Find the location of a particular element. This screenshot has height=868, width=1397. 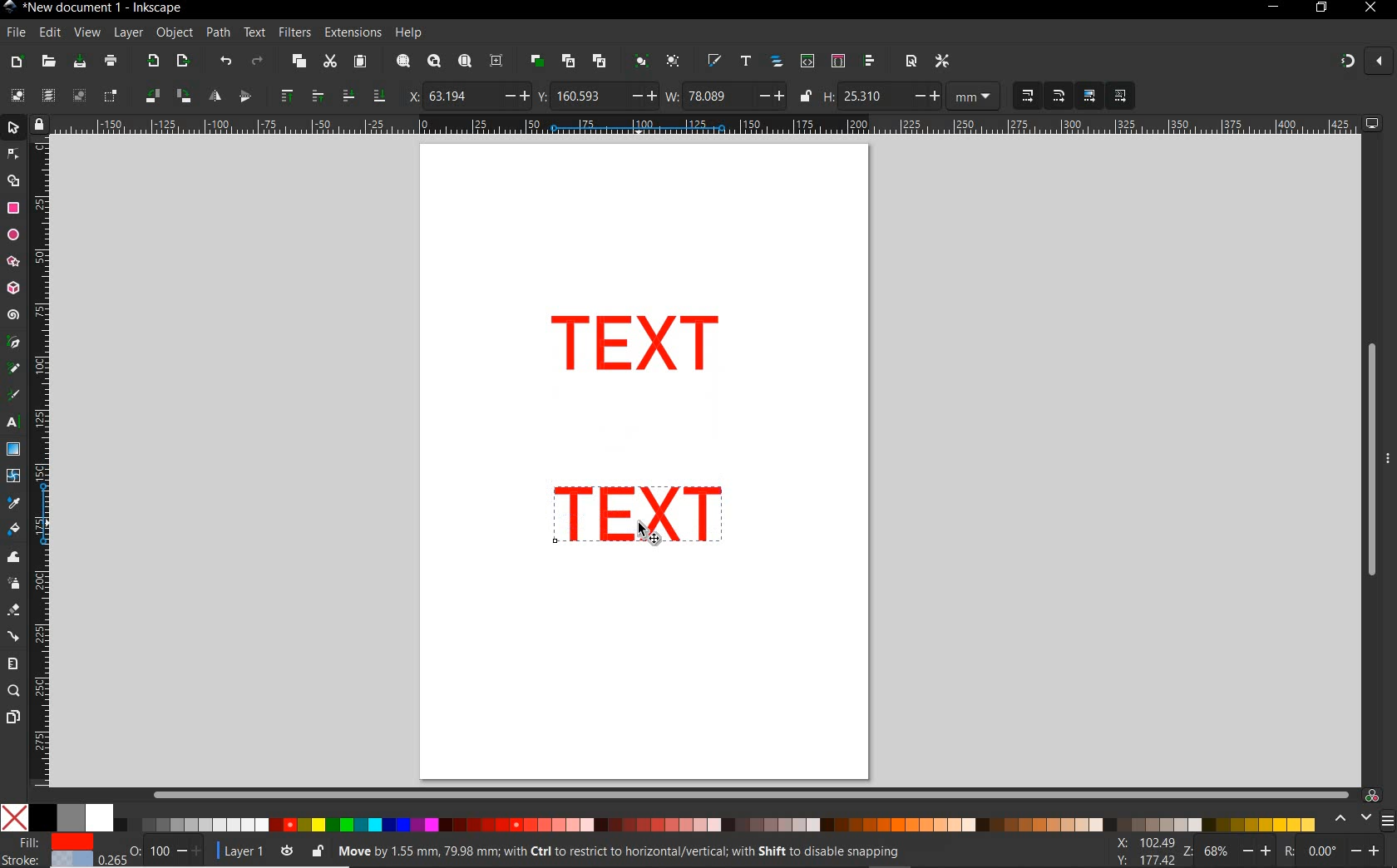

MOVE PATTERNS is located at coordinates (1119, 96).